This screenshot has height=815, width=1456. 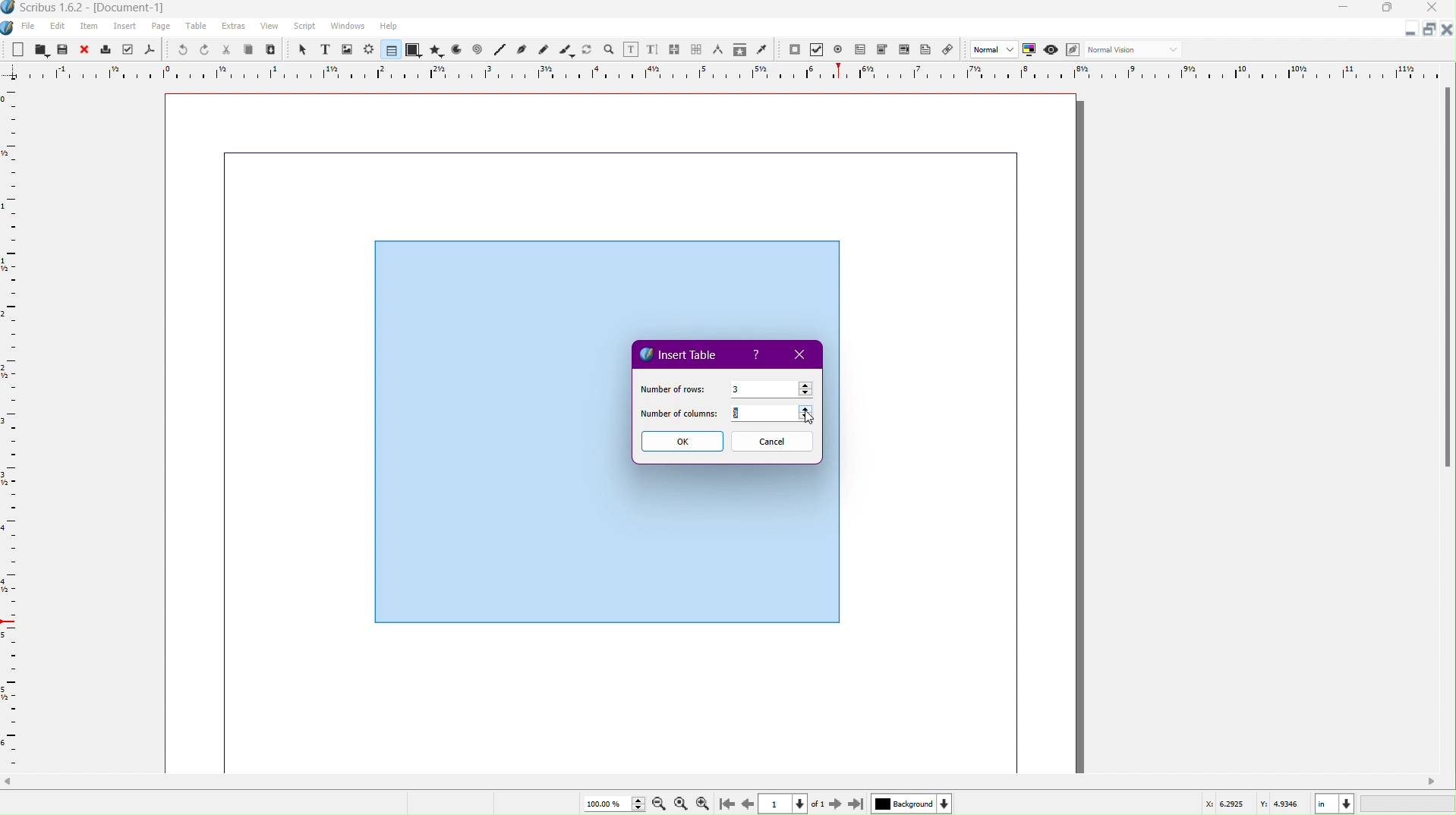 I want to click on Close, so click(x=1447, y=30).